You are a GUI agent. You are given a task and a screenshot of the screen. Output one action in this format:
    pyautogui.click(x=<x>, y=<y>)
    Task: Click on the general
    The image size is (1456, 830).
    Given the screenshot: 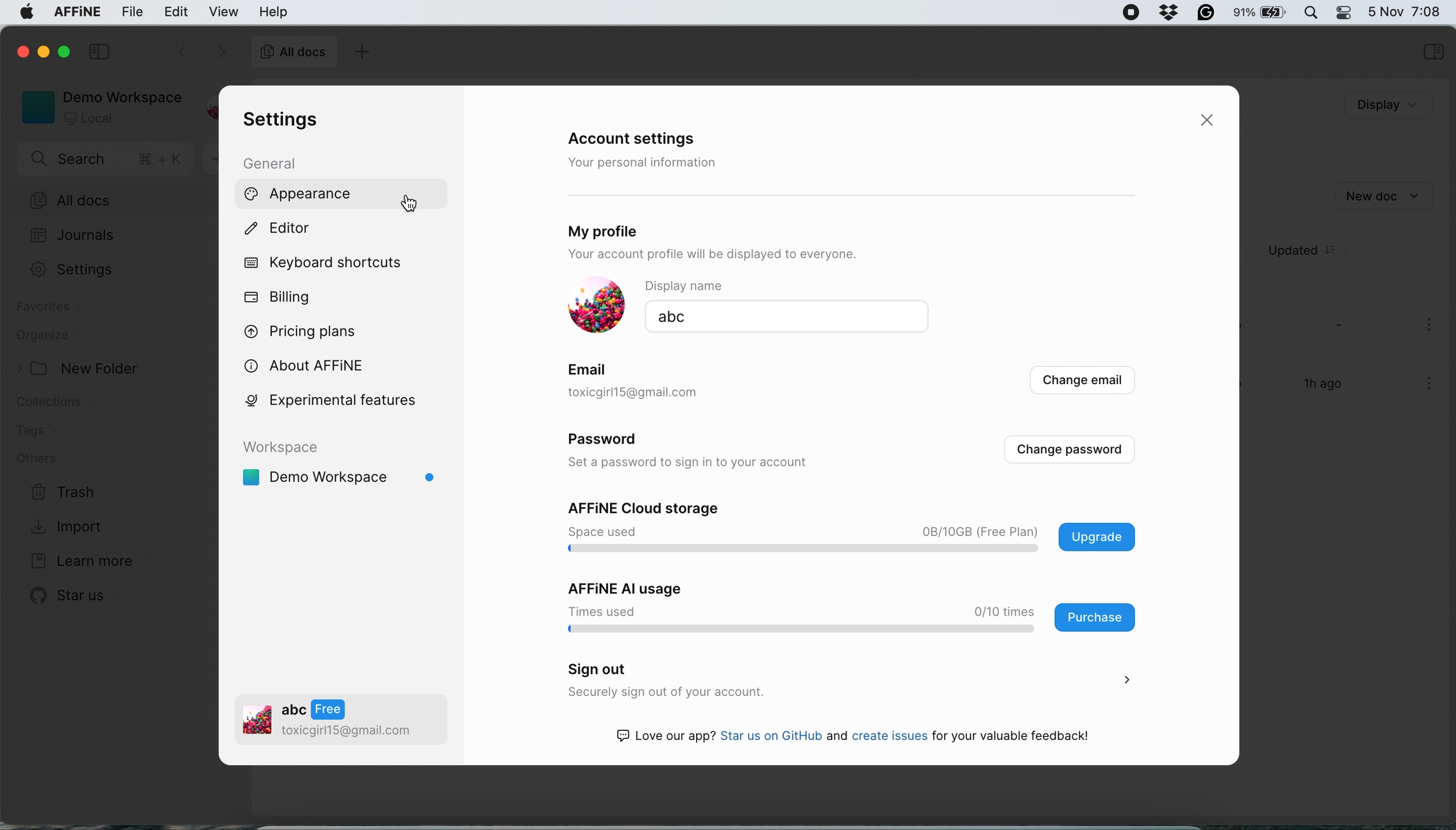 What is the action you would take?
    pyautogui.click(x=271, y=164)
    